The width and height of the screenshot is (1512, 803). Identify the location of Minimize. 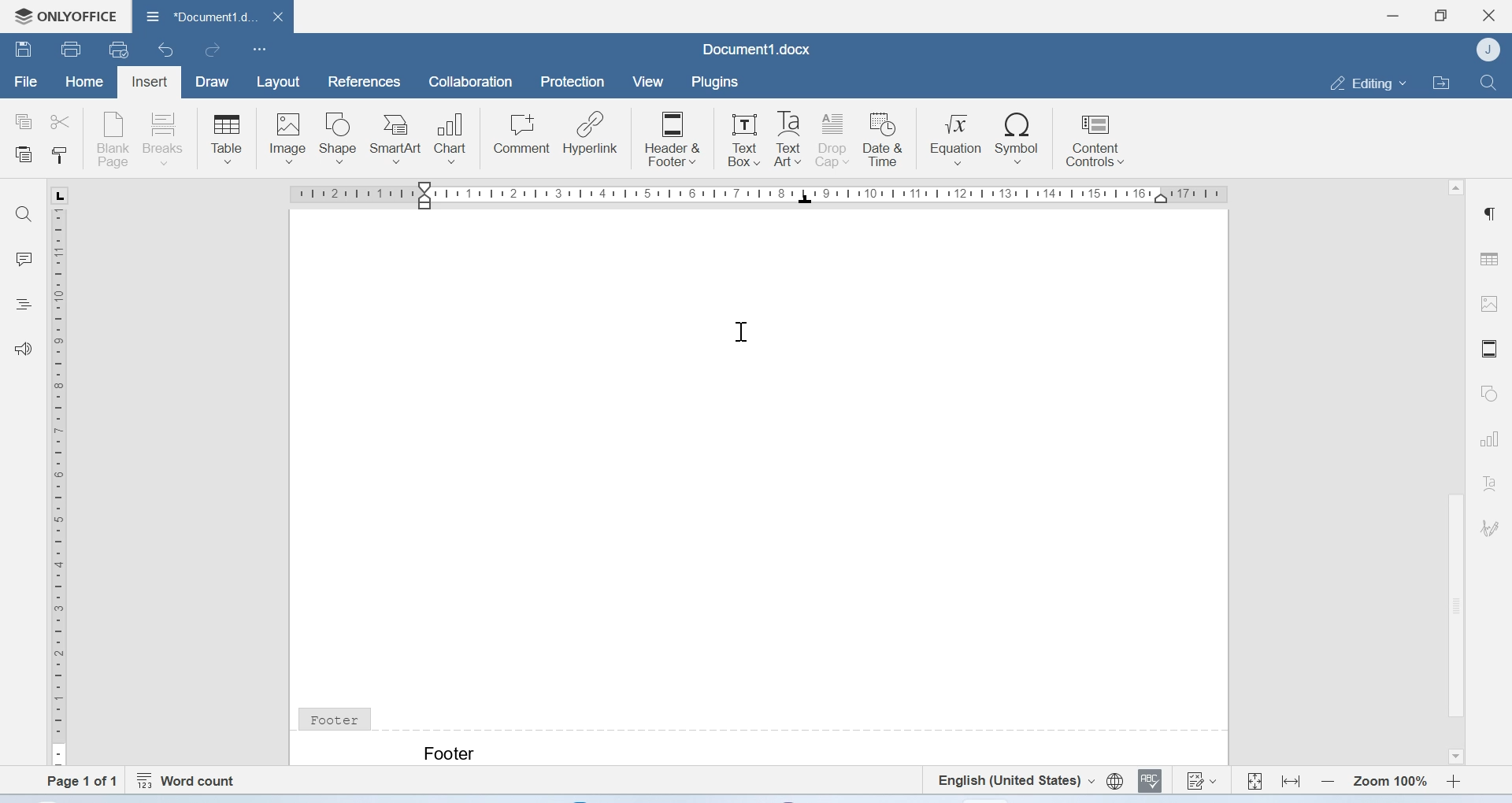
(1393, 16).